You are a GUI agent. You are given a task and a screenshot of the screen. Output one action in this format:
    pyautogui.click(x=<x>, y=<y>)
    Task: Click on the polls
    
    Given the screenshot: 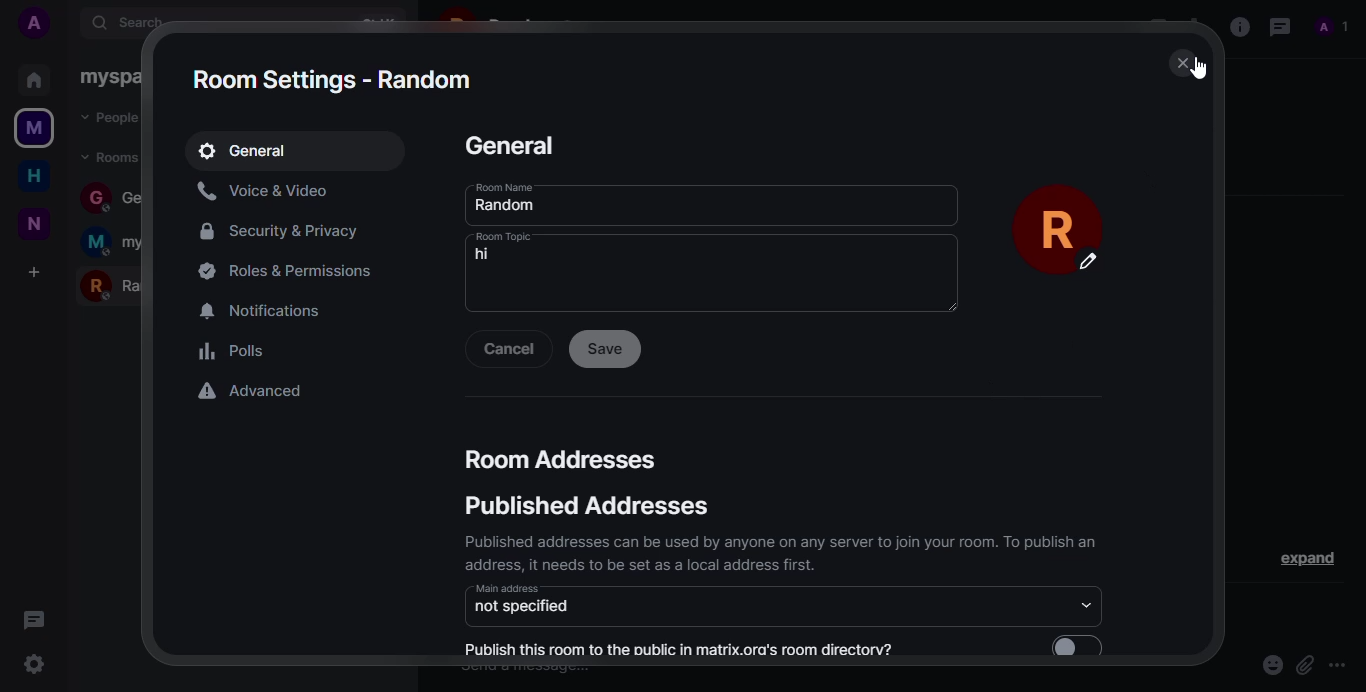 What is the action you would take?
    pyautogui.click(x=231, y=351)
    